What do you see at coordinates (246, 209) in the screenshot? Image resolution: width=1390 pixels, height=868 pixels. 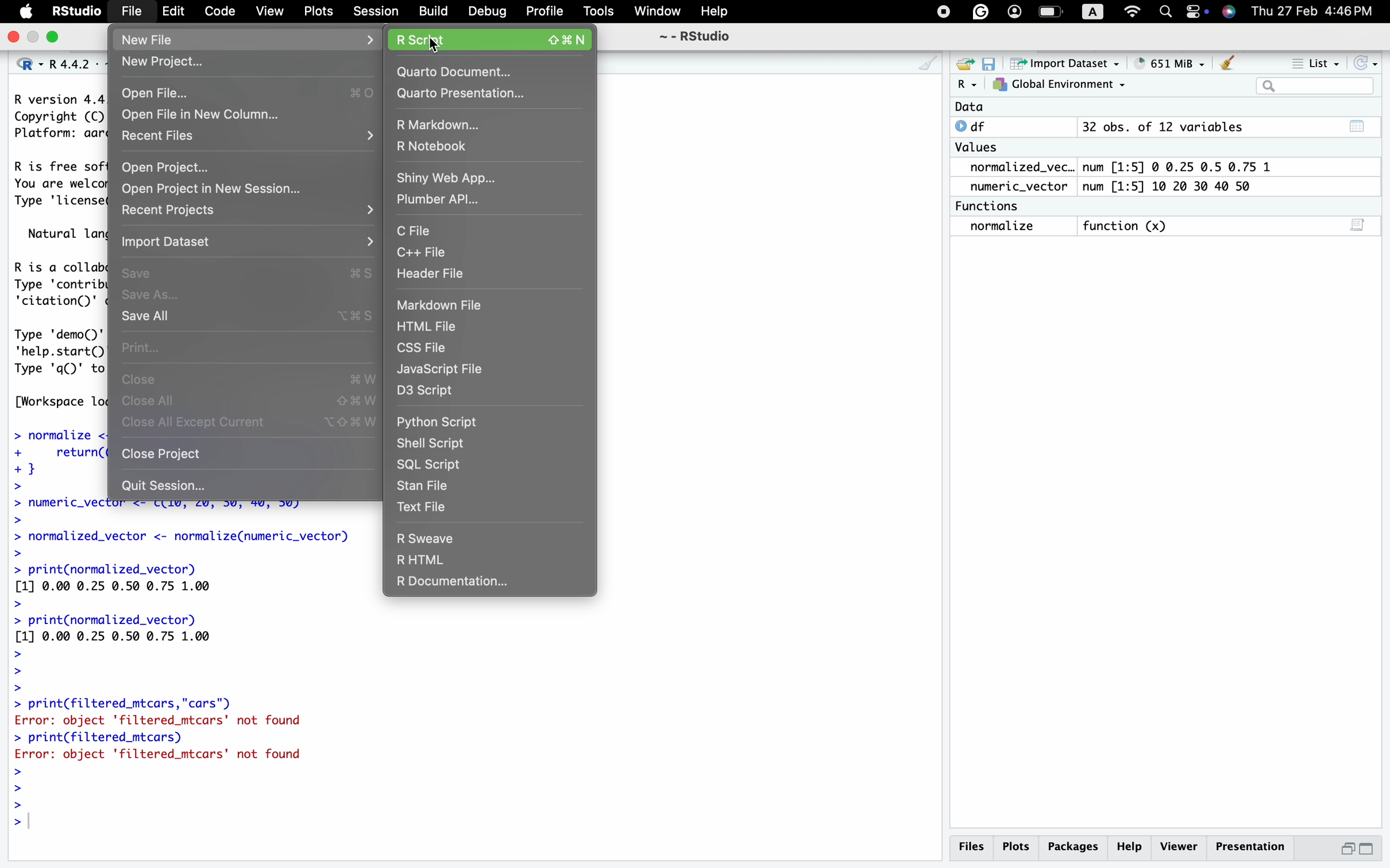 I see `Bn recent Frojects` at bounding box center [246, 209].